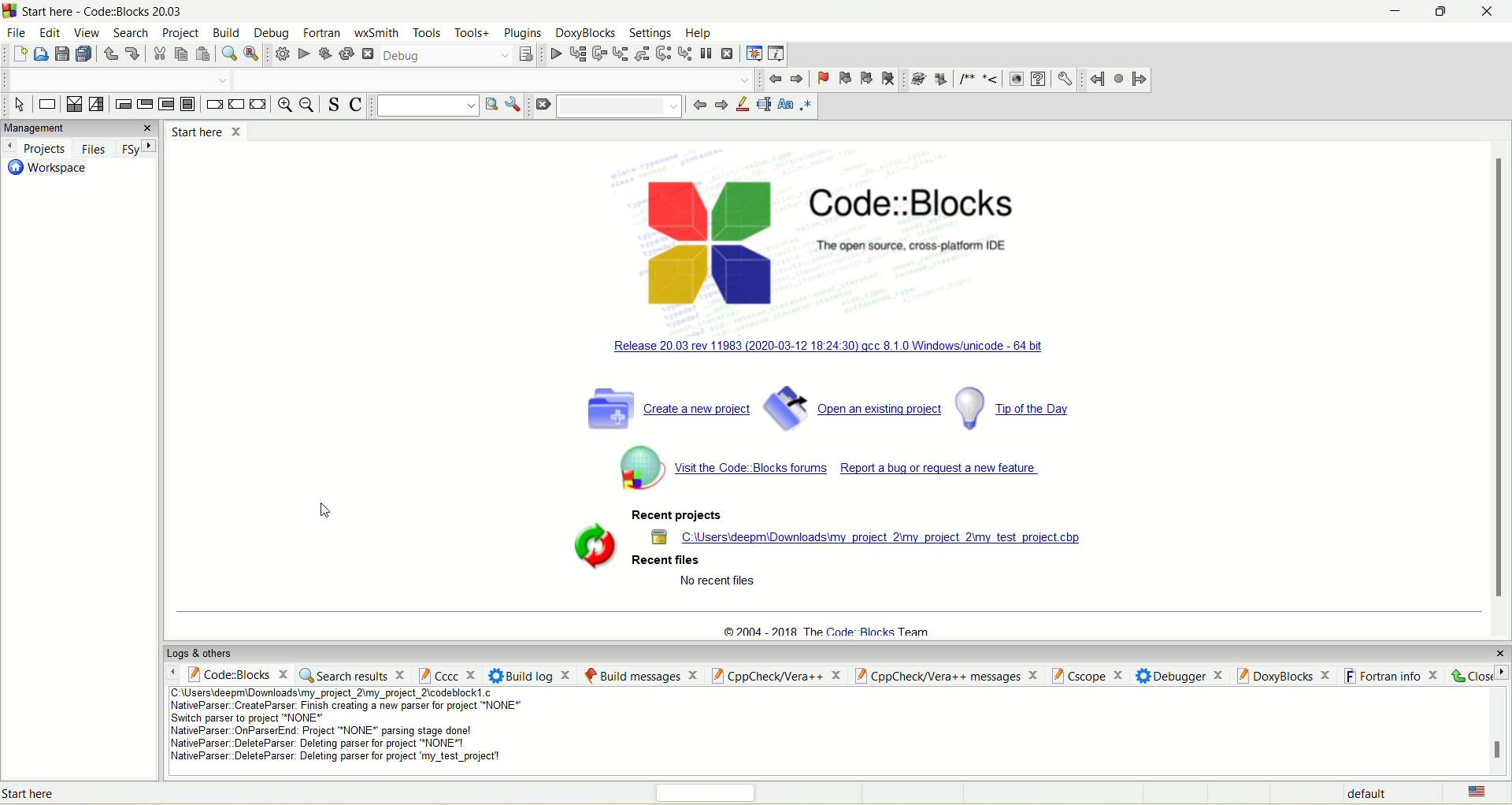 The height and width of the screenshot is (805, 1512). I want to click on toggle source, so click(335, 104).